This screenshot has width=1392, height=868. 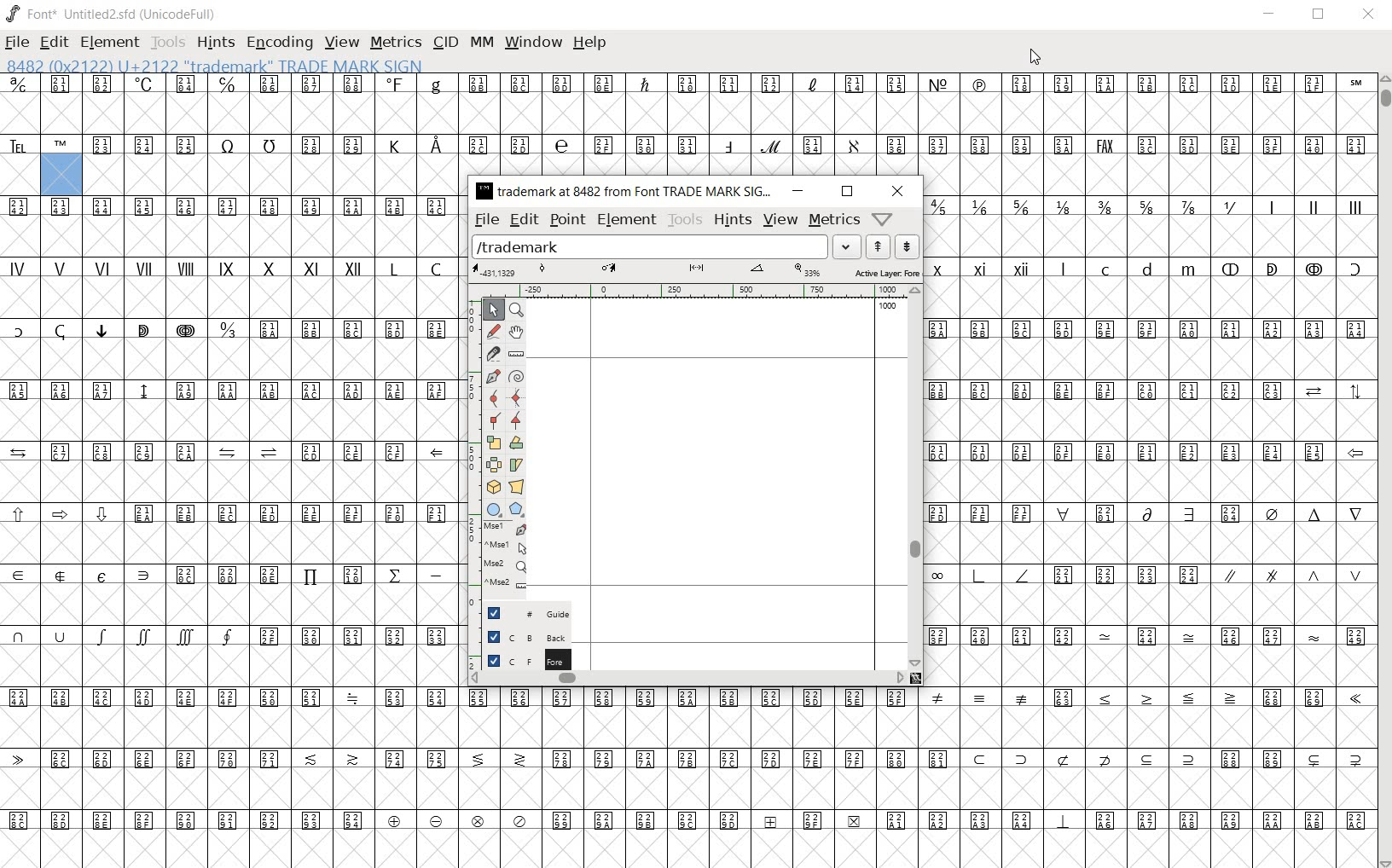 I want to click on symbols, so click(x=231, y=603).